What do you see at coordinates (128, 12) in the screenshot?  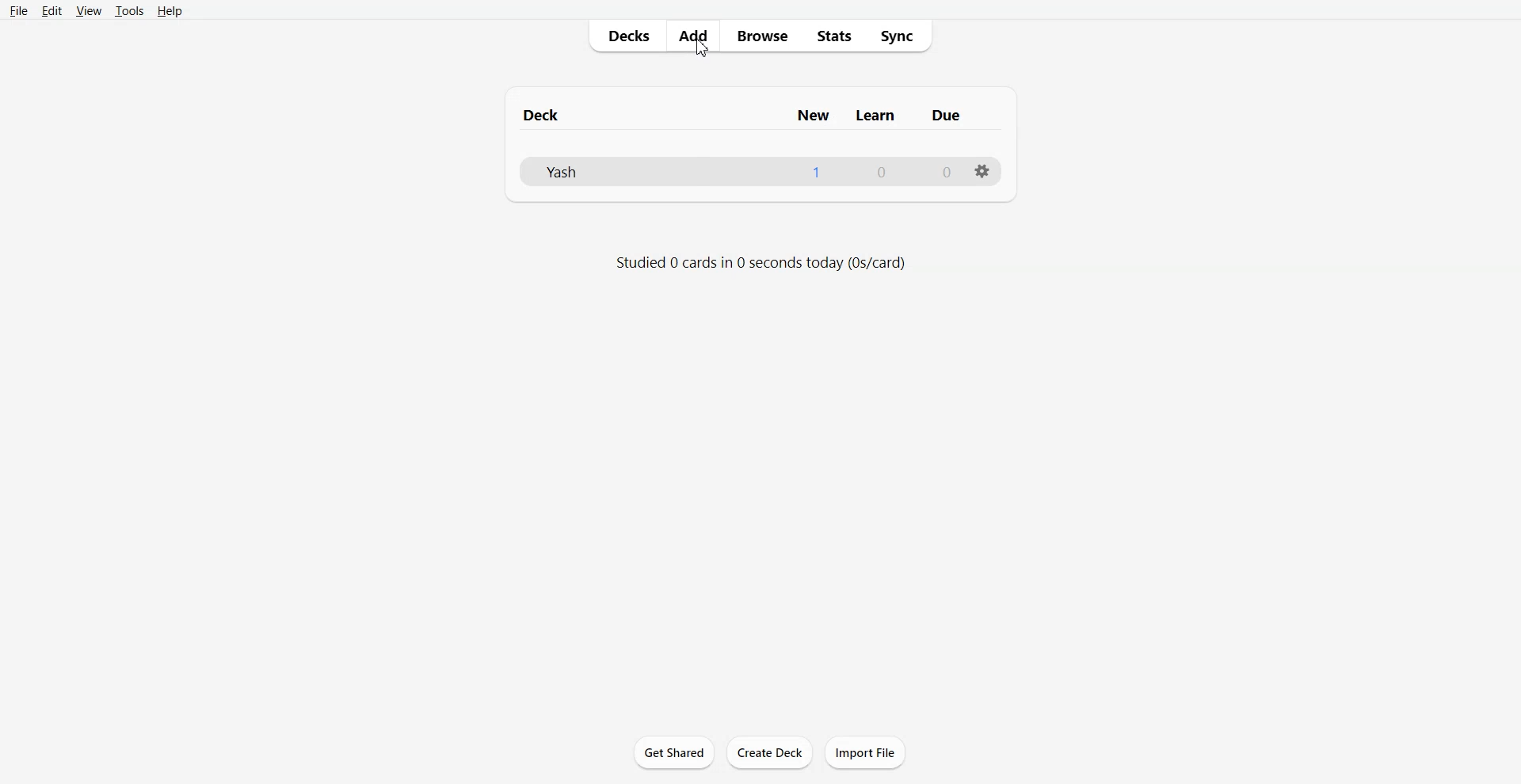 I see `Tools` at bounding box center [128, 12].